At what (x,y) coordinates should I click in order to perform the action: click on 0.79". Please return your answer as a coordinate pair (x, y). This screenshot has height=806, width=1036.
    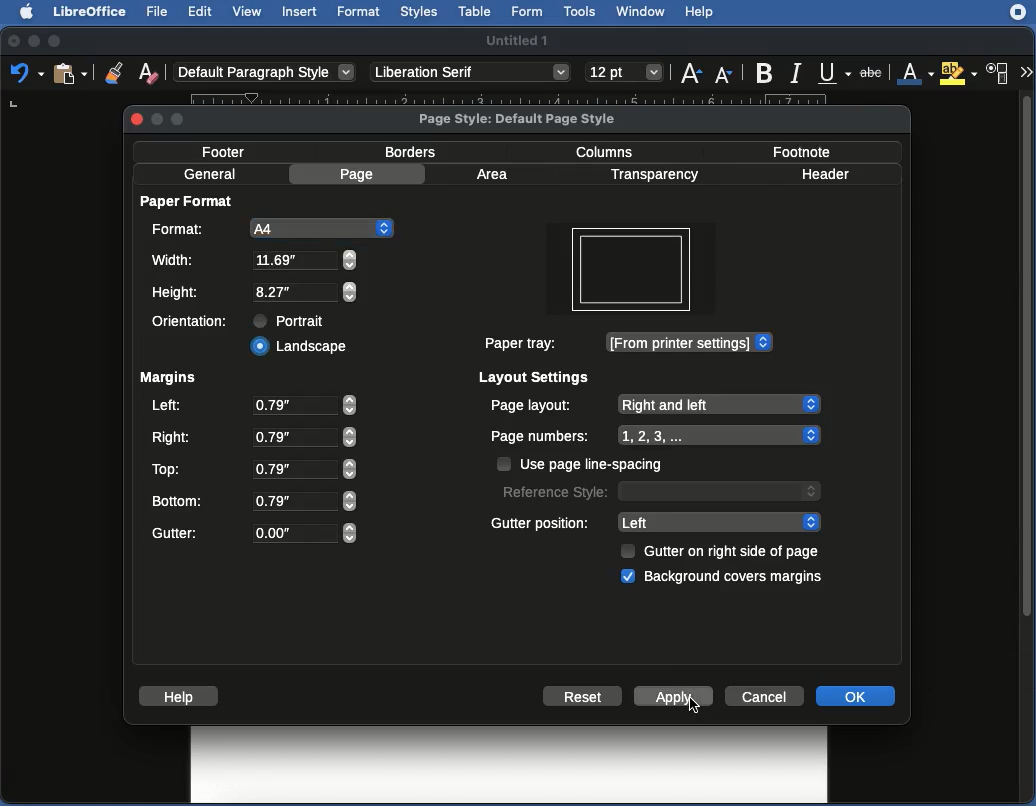
    Looking at the image, I should click on (305, 469).